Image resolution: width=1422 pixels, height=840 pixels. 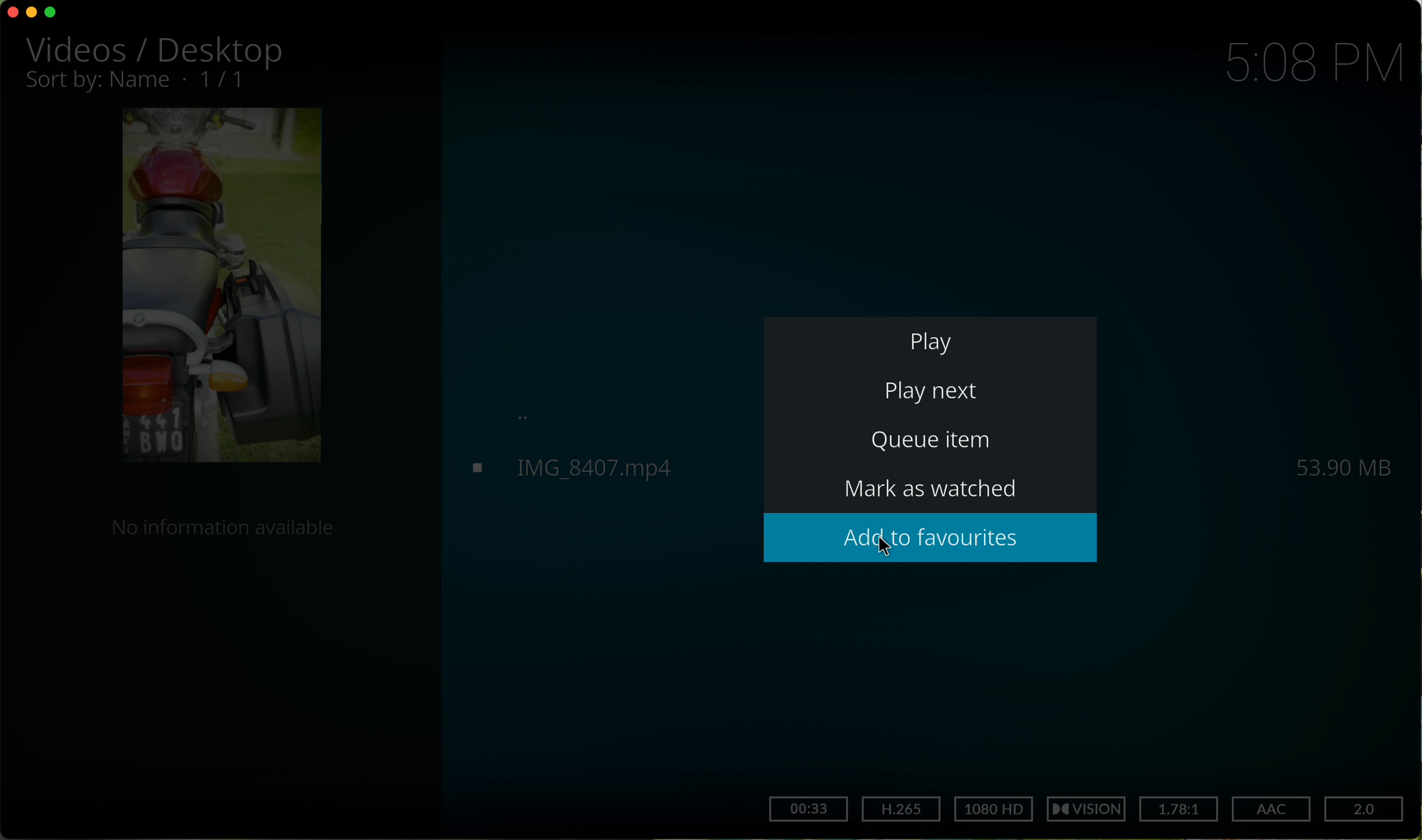 I want to click on add to favourites, so click(x=931, y=538).